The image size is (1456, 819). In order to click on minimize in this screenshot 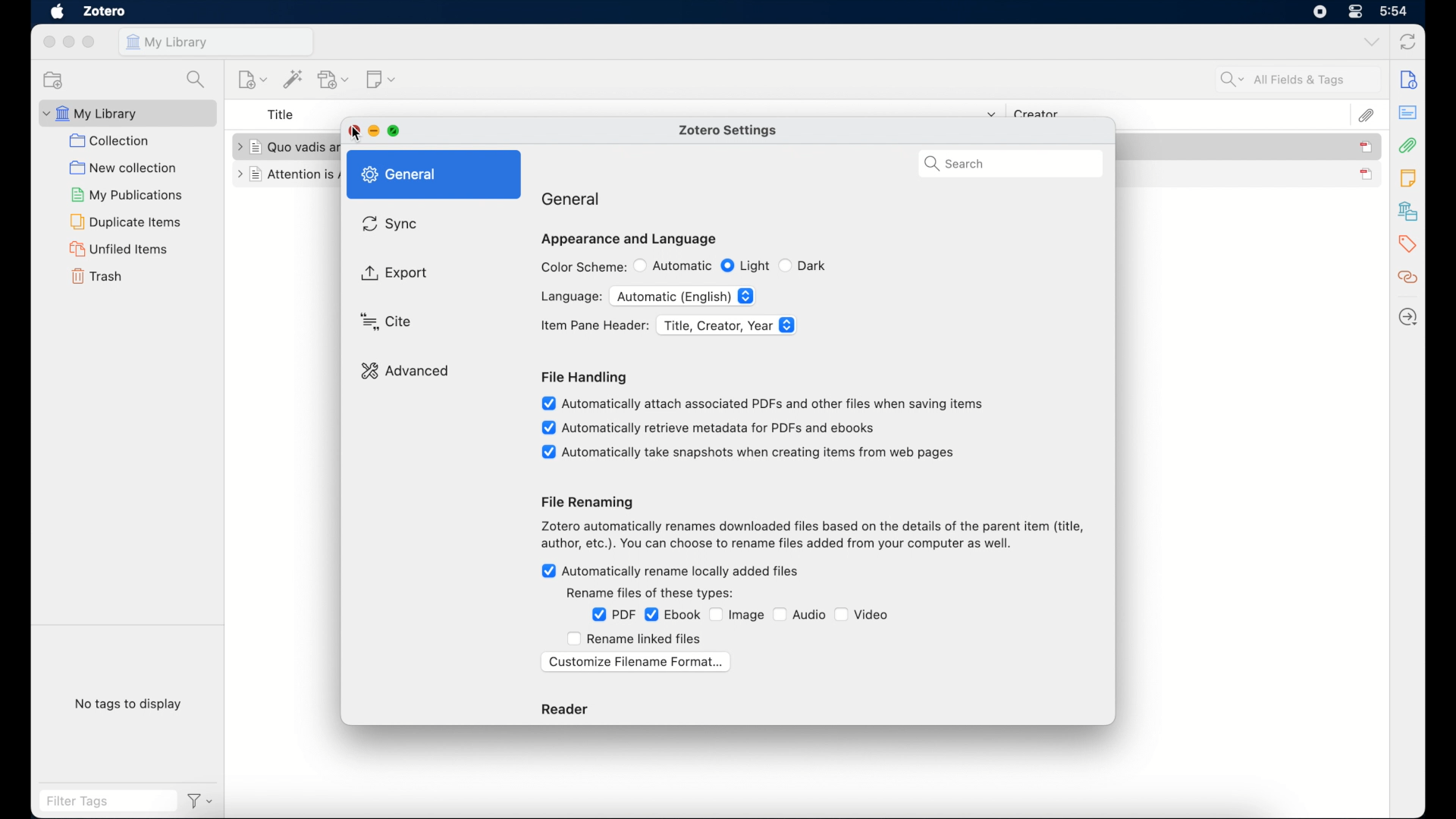, I will do `click(69, 42)`.